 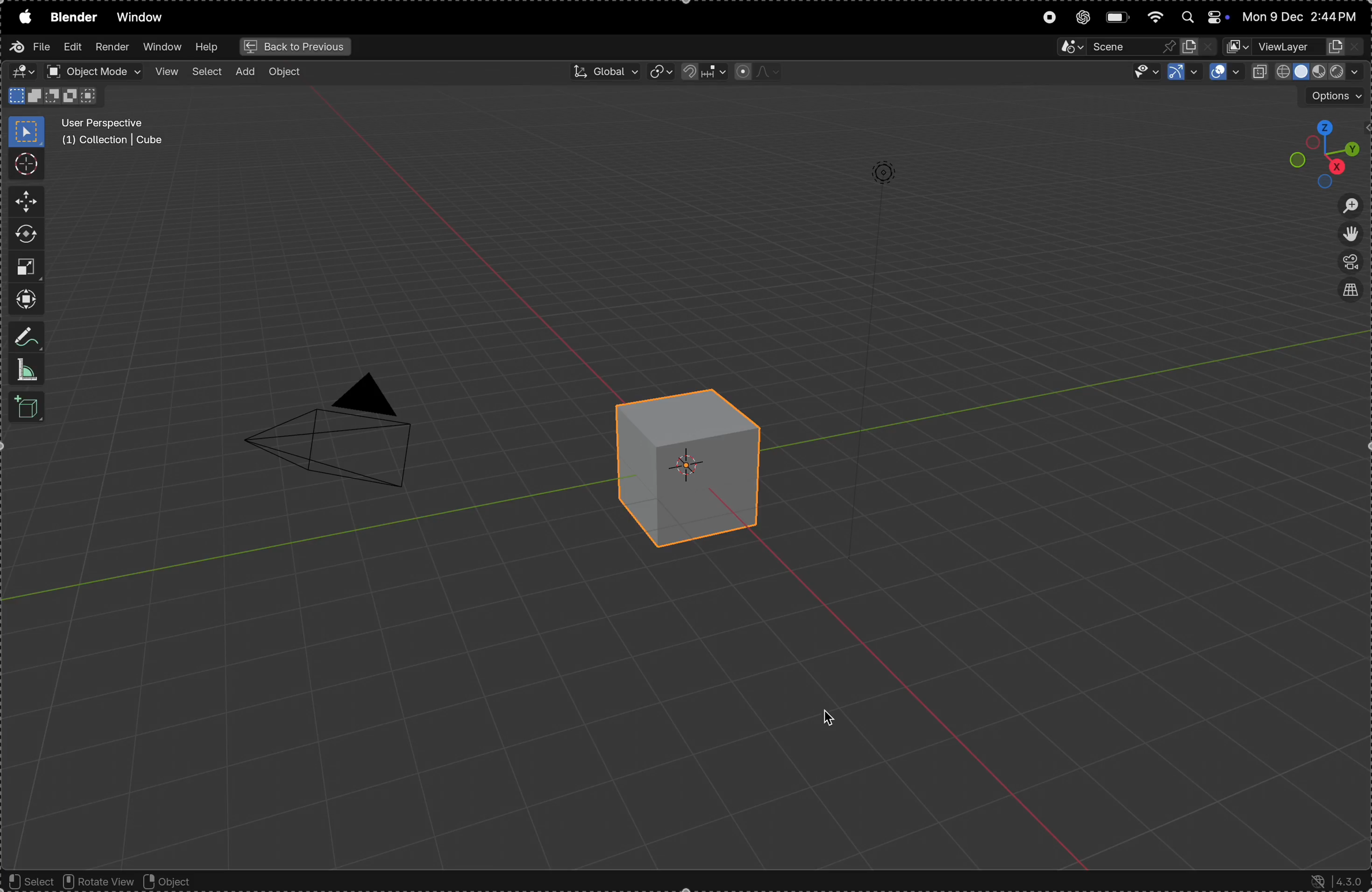 I want to click on back to previous, so click(x=293, y=47).